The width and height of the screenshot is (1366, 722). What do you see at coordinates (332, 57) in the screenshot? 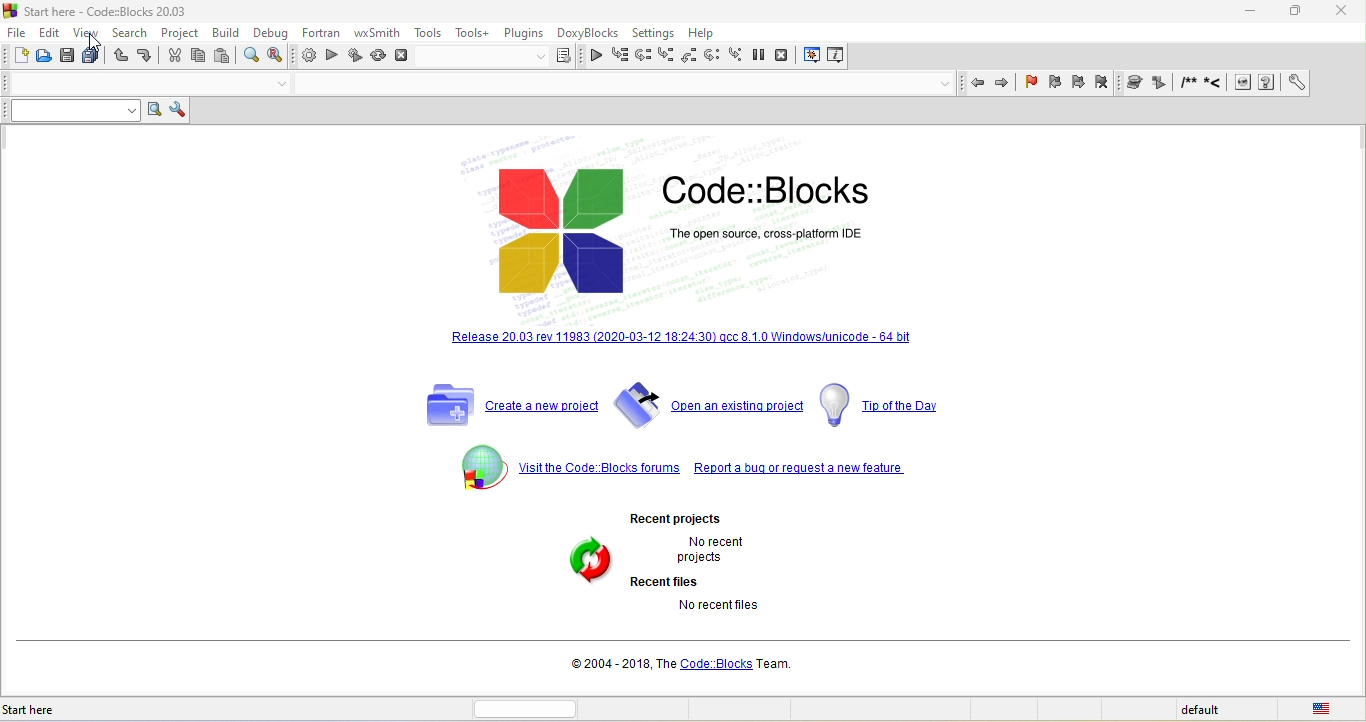
I see `run` at bounding box center [332, 57].